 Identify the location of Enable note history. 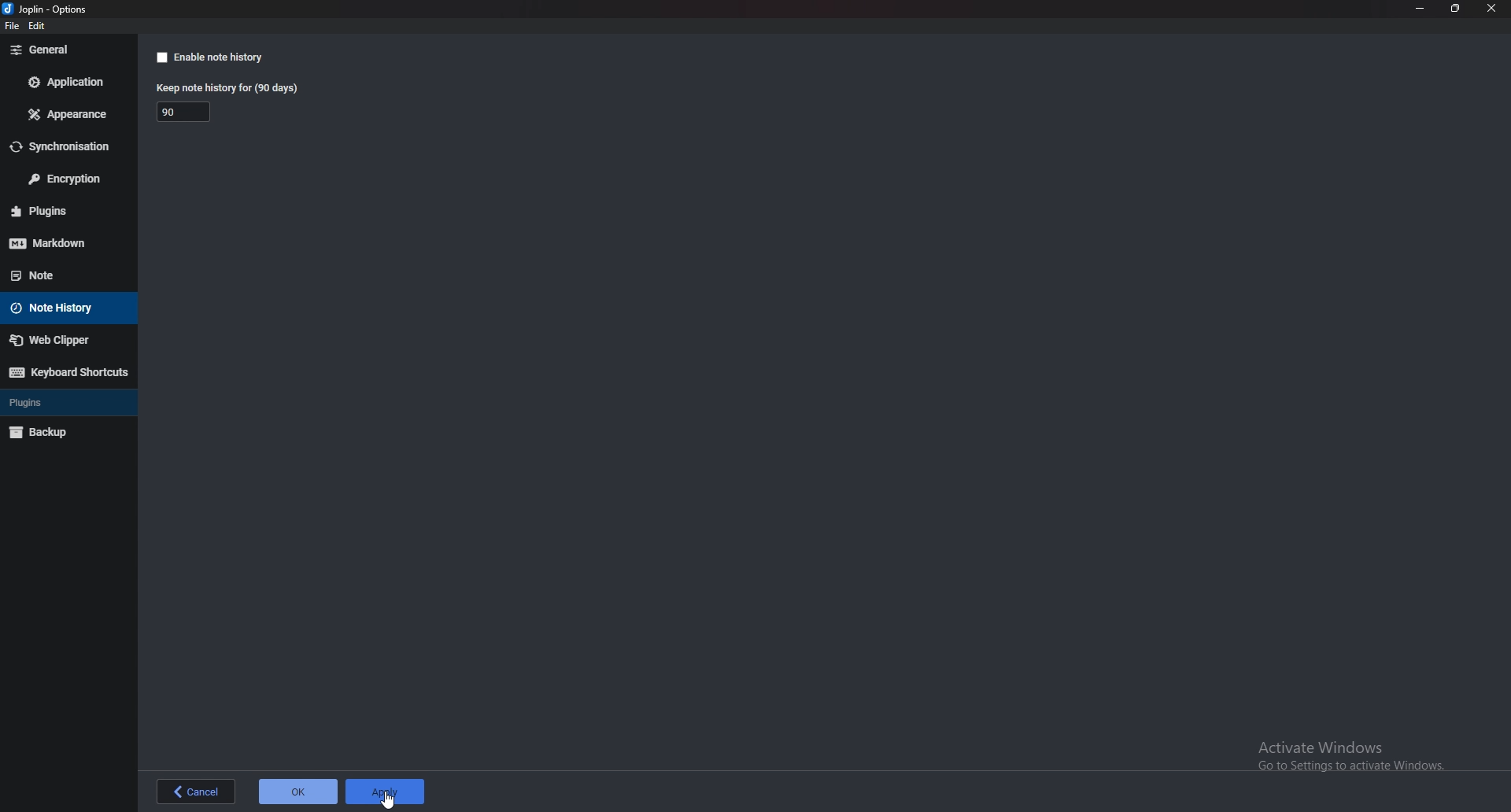
(224, 57).